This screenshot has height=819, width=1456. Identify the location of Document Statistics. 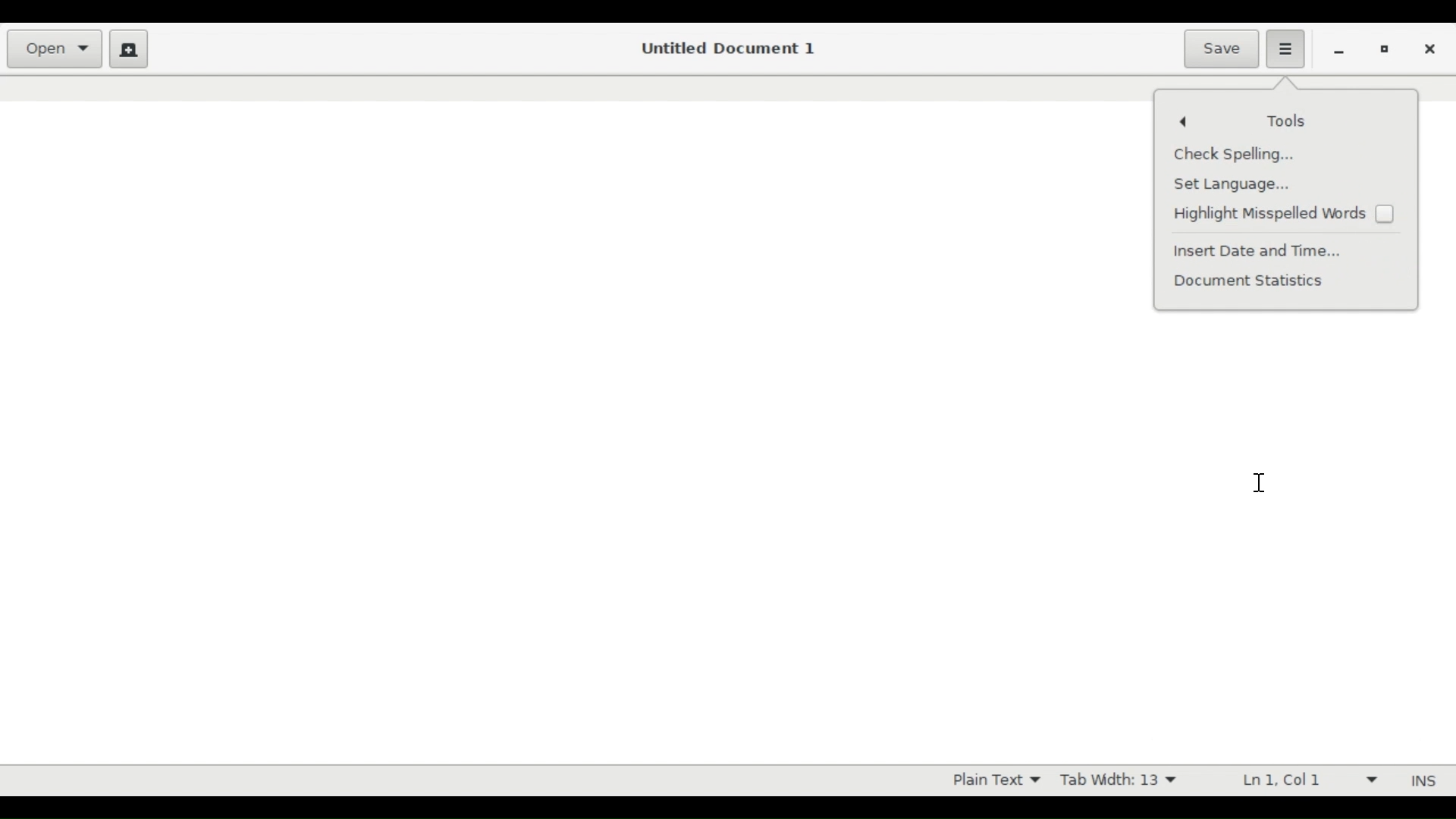
(1251, 281).